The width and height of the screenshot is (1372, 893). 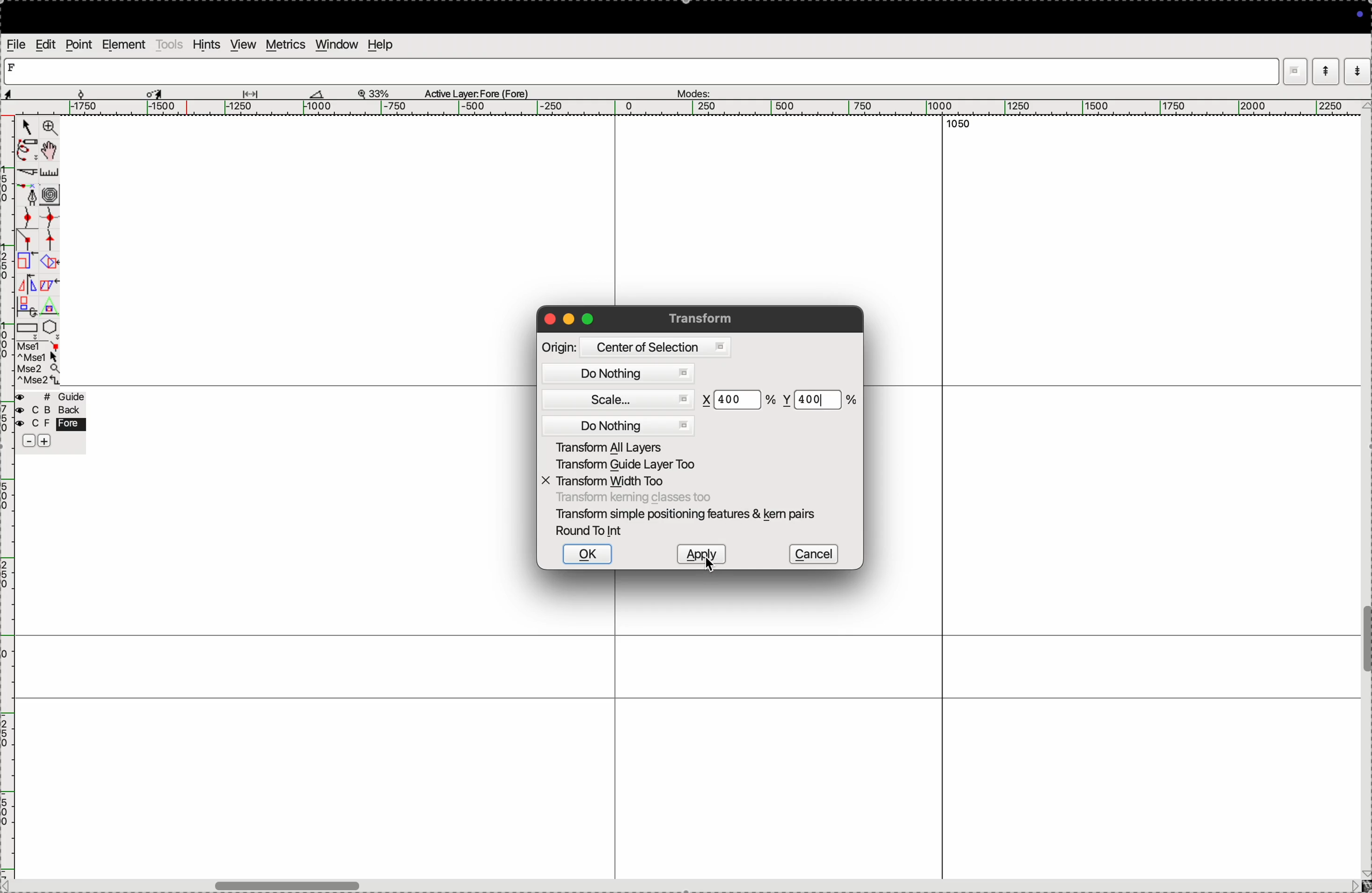 What do you see at coordinates (337, 44) in the screenshot?
I see `window` at bounding box center [337, 44].